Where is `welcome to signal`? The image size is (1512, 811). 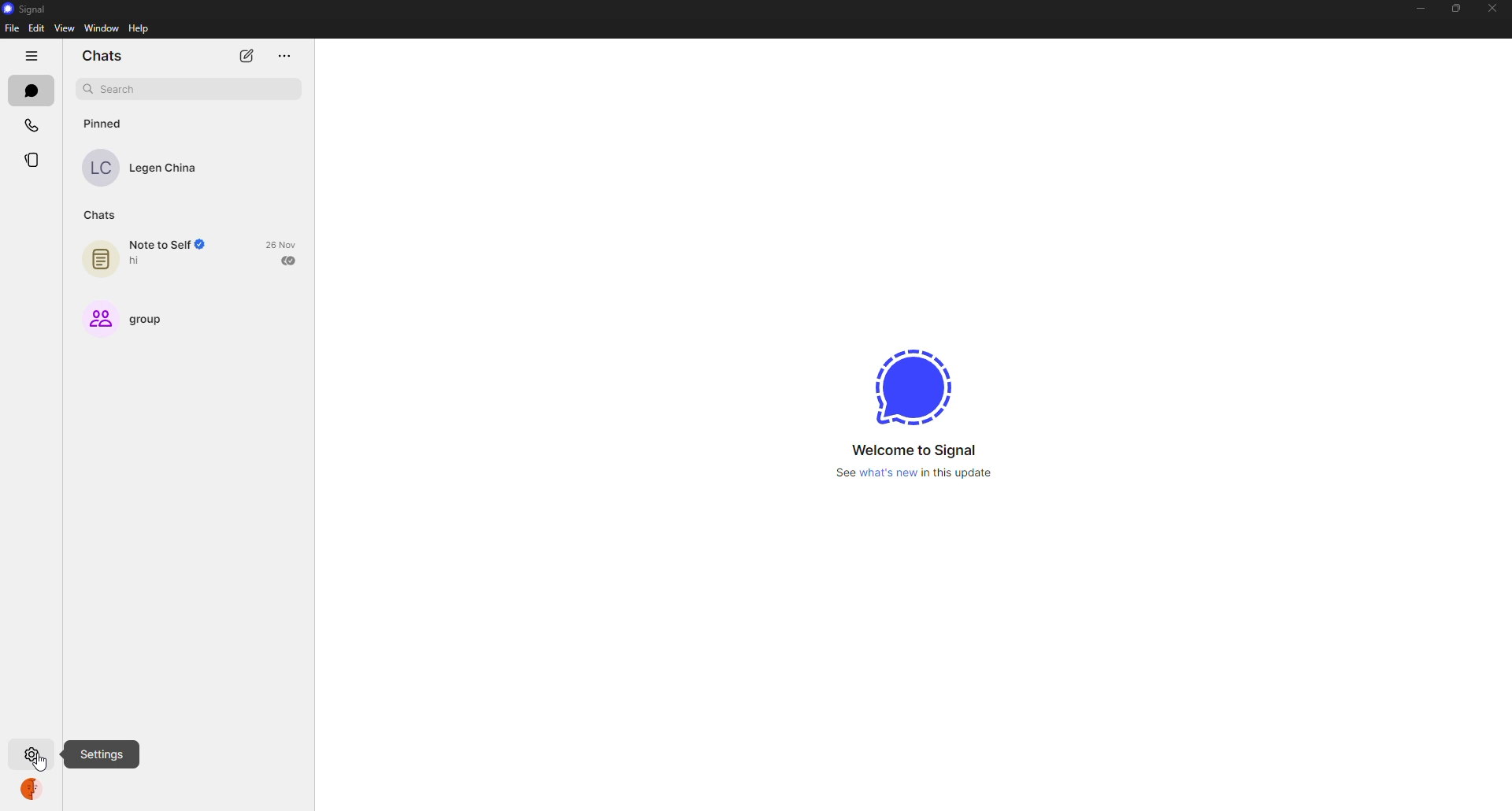
welcome to signal is located at coordinates (912, 448).